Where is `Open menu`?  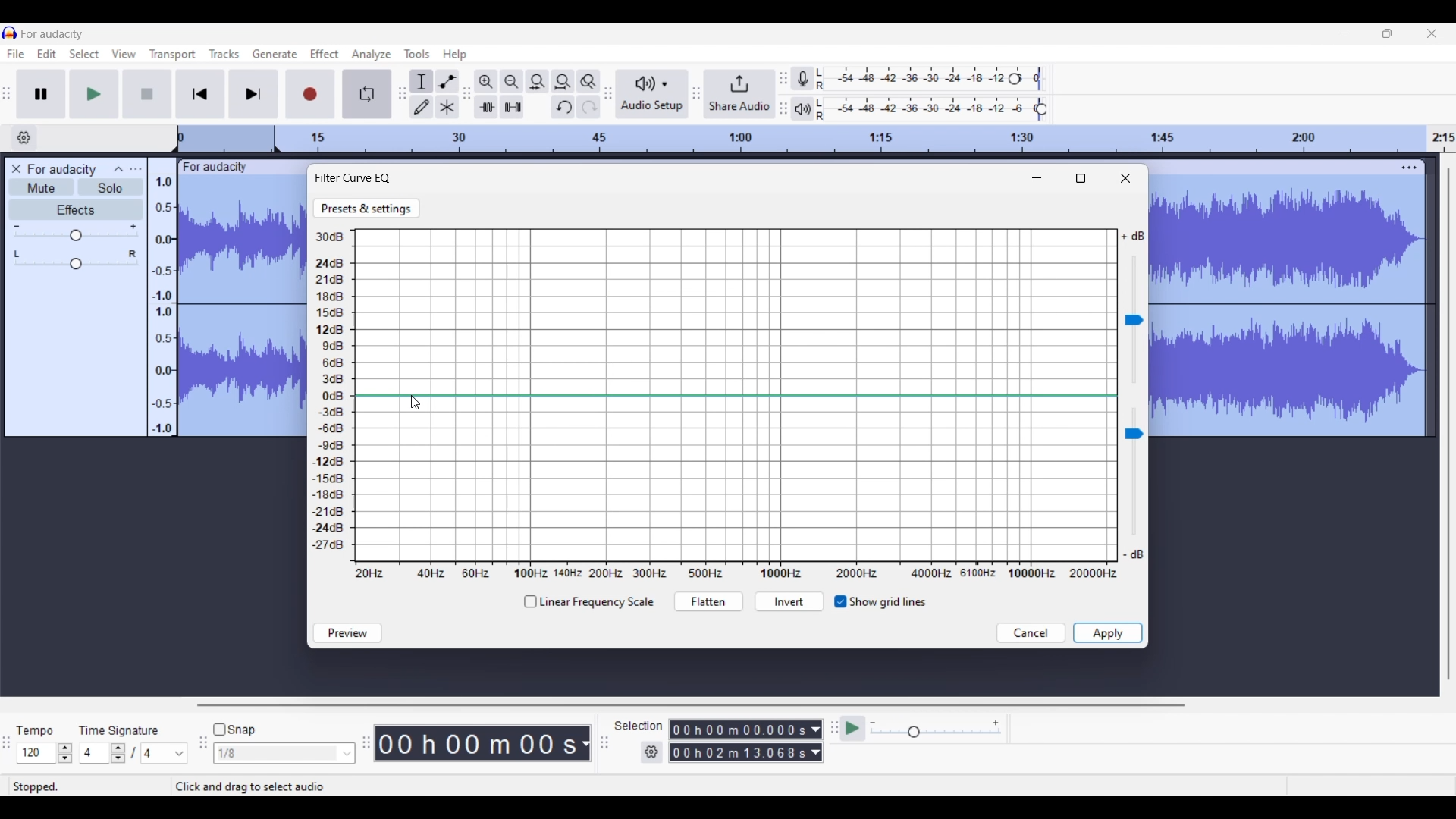
Open menu is located at coordinates (135, 168).